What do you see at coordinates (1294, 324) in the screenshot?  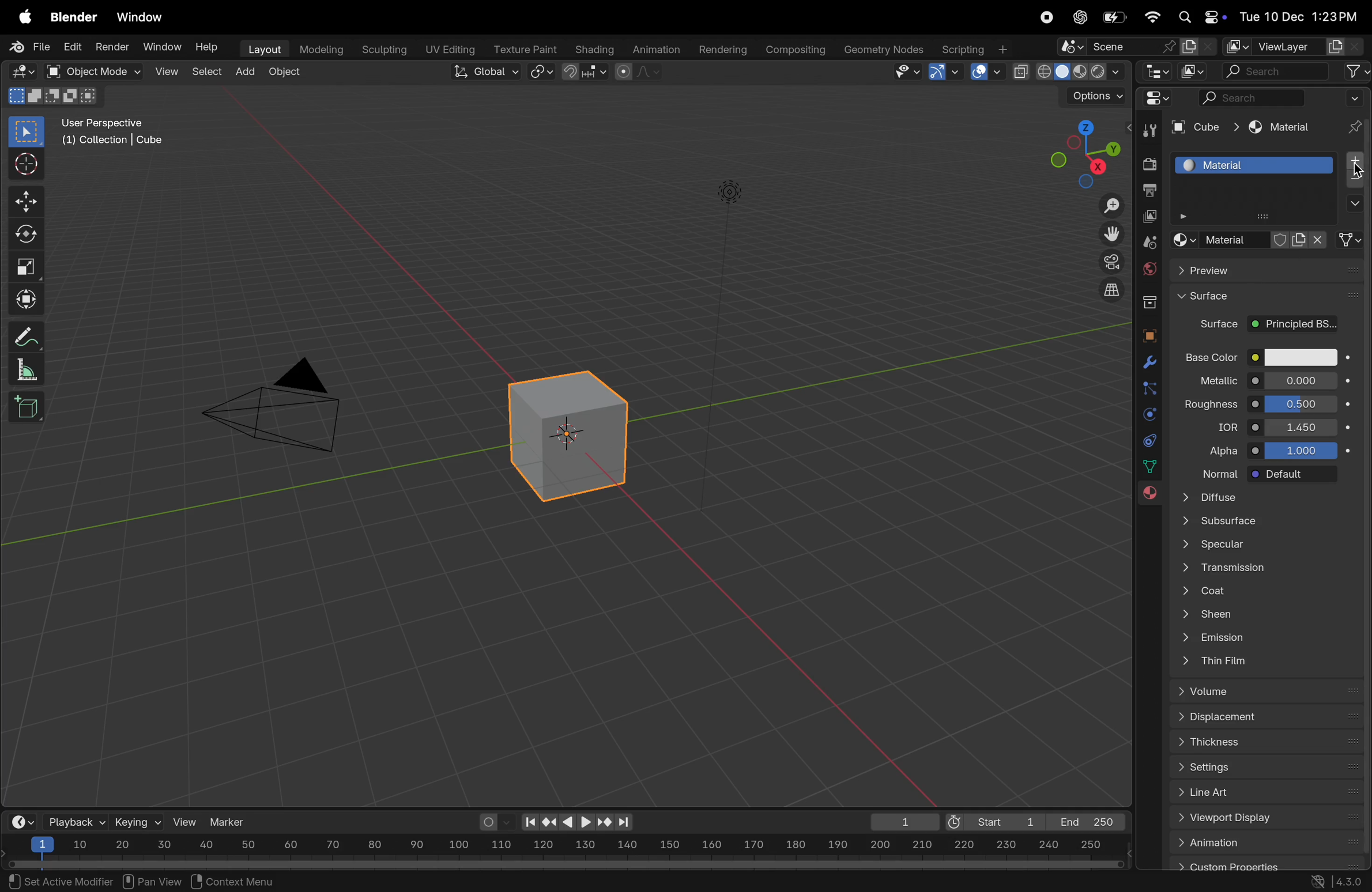 I see `project background` at bounding box center [1294, 324].